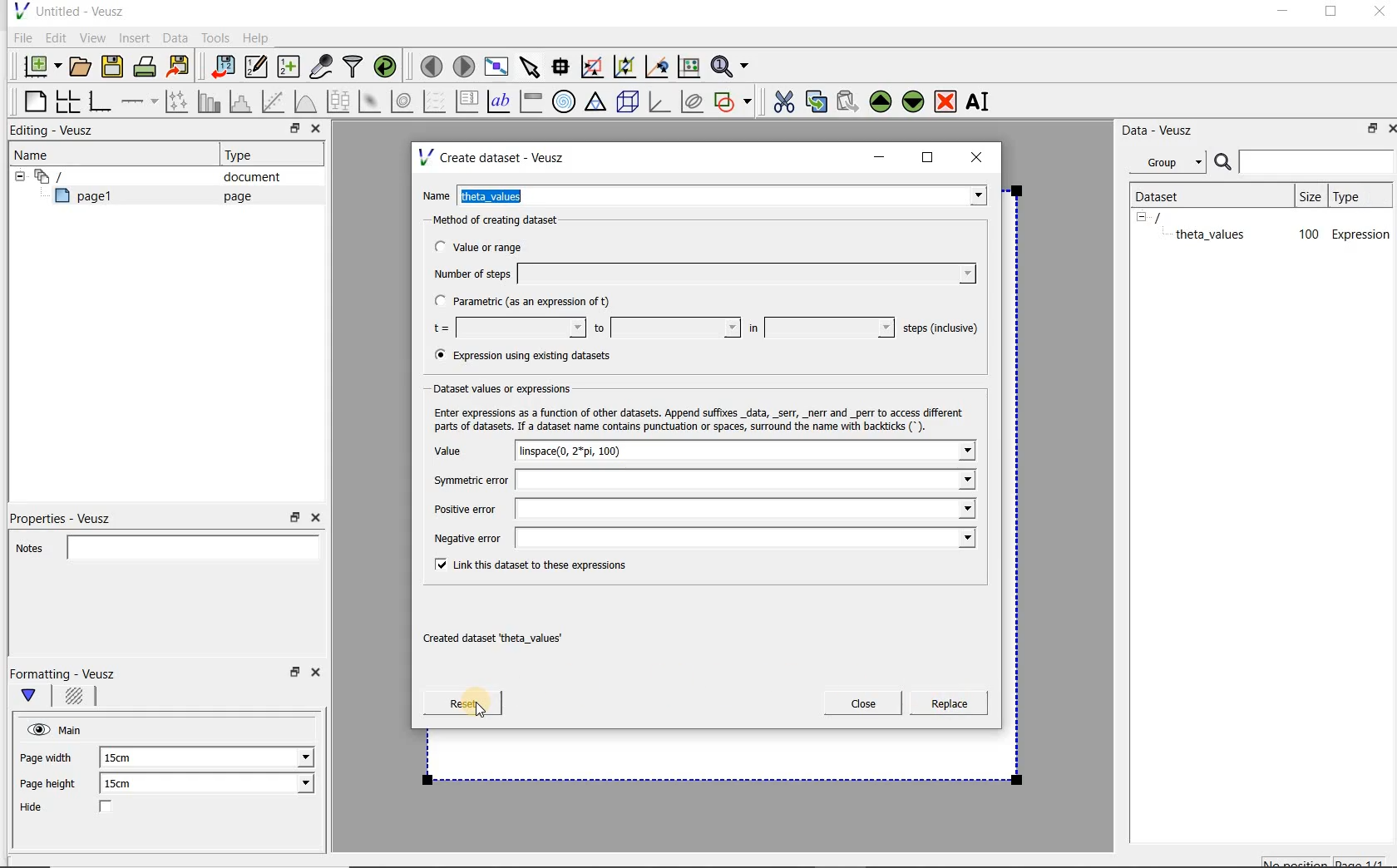 The width and height of the screenshot is (1397, 868). What do you see at coordinates (372, 102) in the screenshot?
I see `plot a 2d dataset as an image` at bounding box center [372, 102].